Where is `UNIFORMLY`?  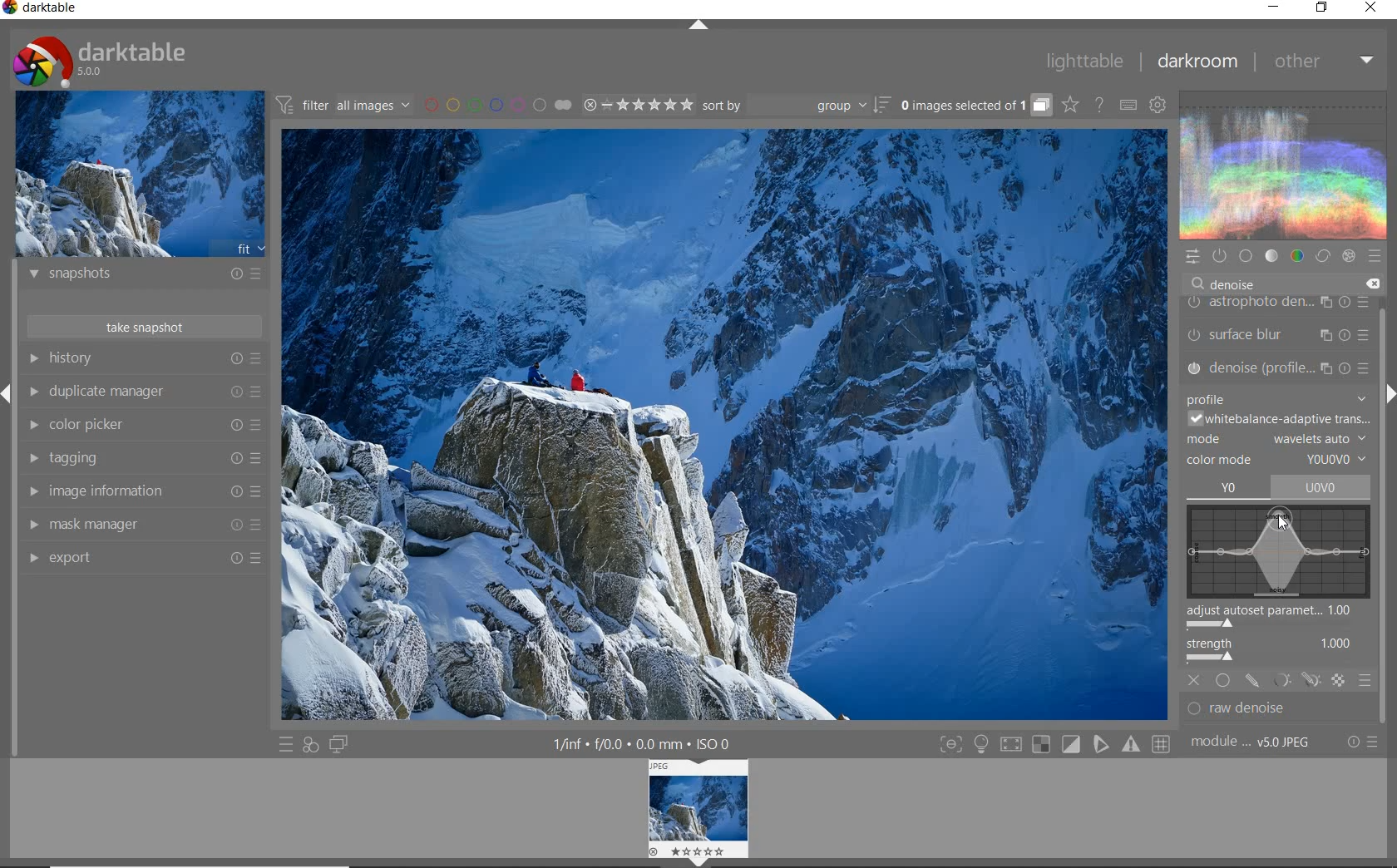 UNIFORMLY is located at coordinates (1223, 680).